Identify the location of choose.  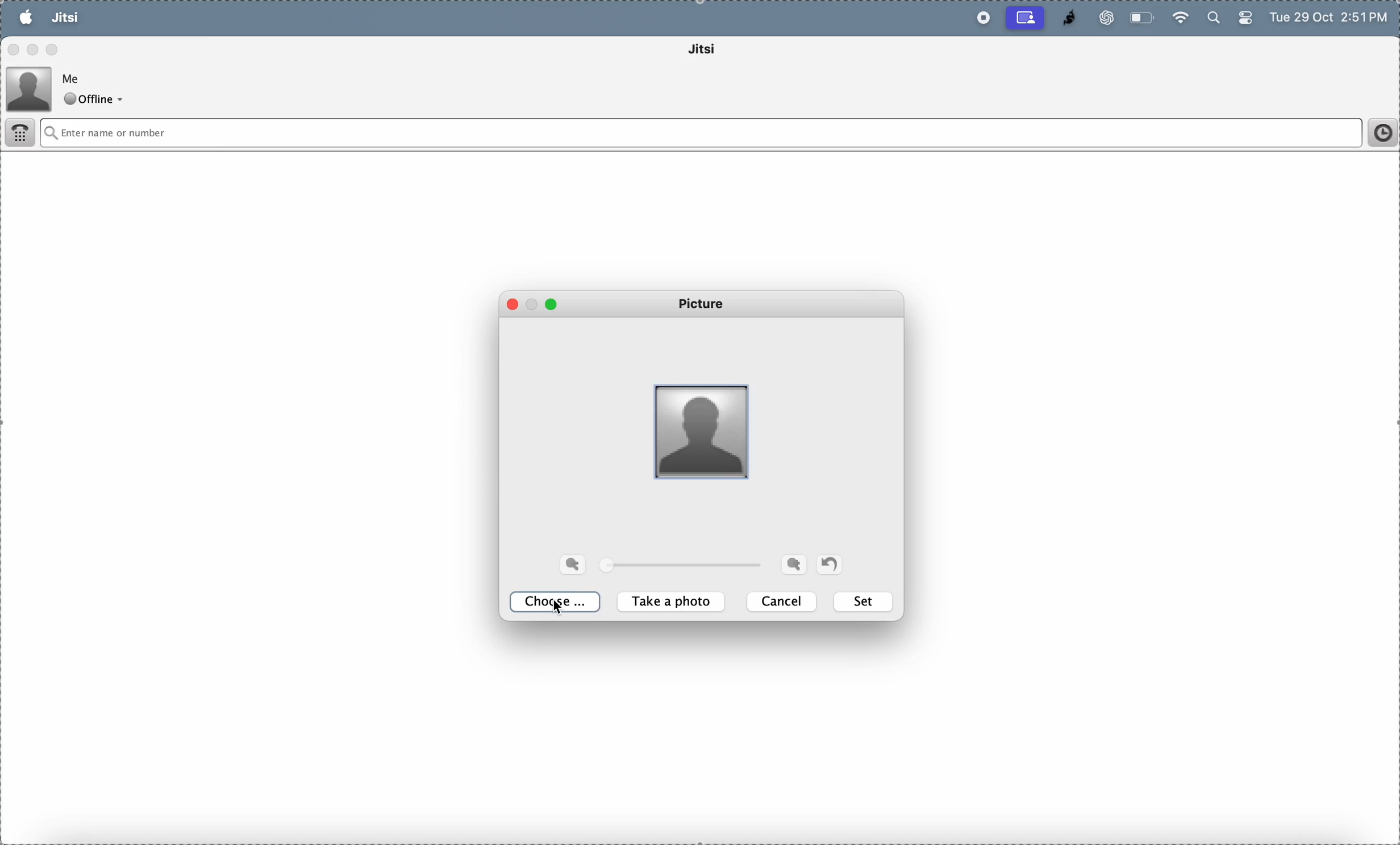
(558, 603).